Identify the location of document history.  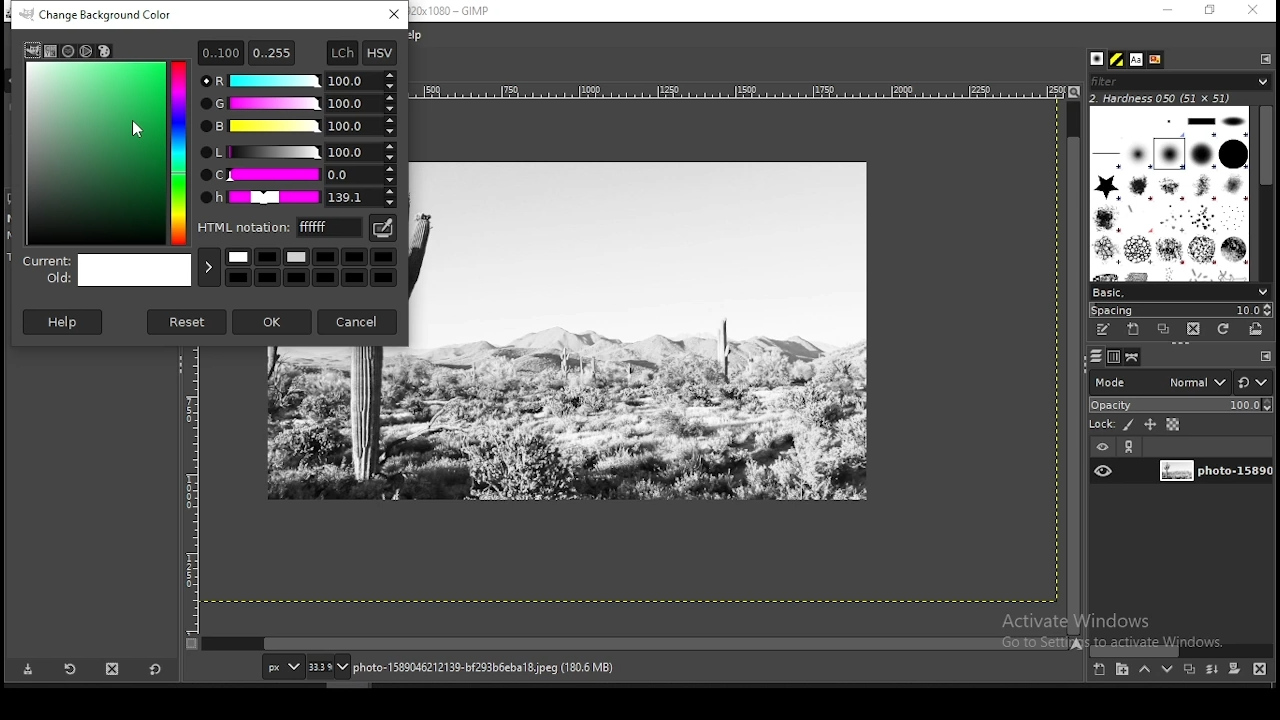
(1156, 60).